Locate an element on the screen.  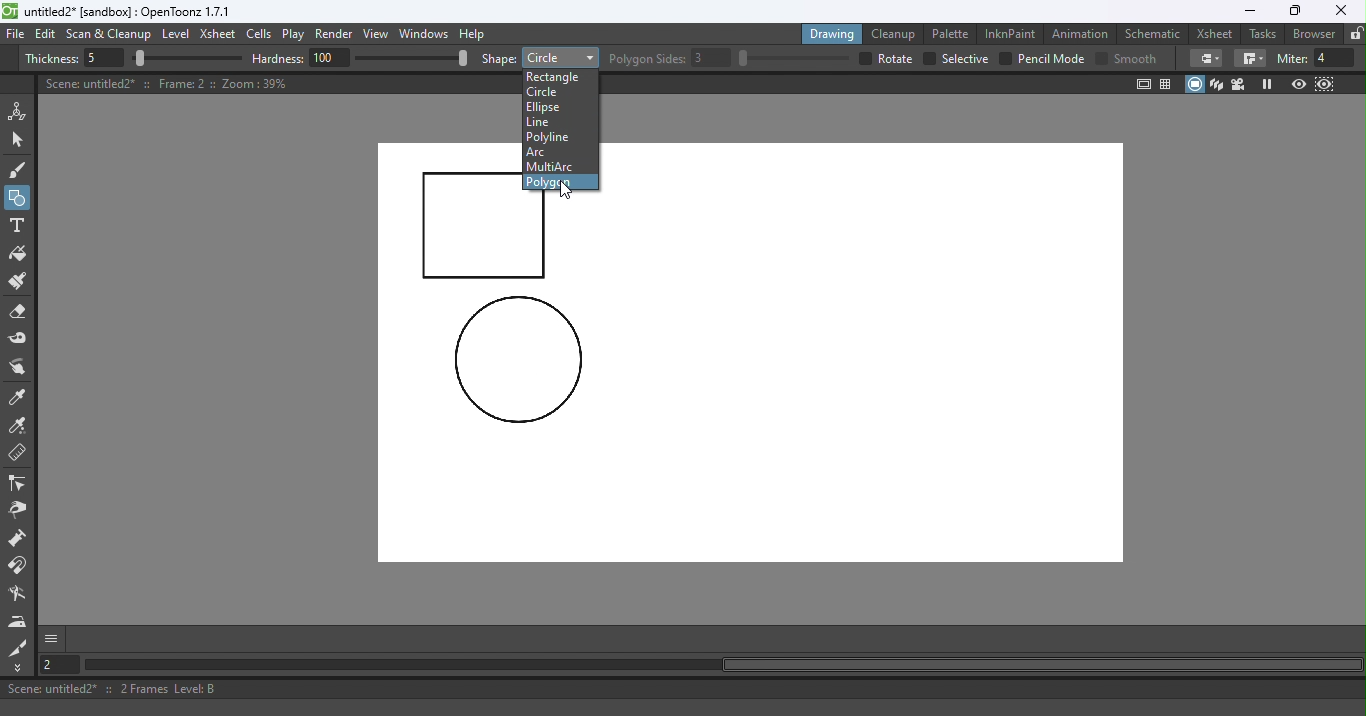
Thickness is located at coordinates (51, 59).